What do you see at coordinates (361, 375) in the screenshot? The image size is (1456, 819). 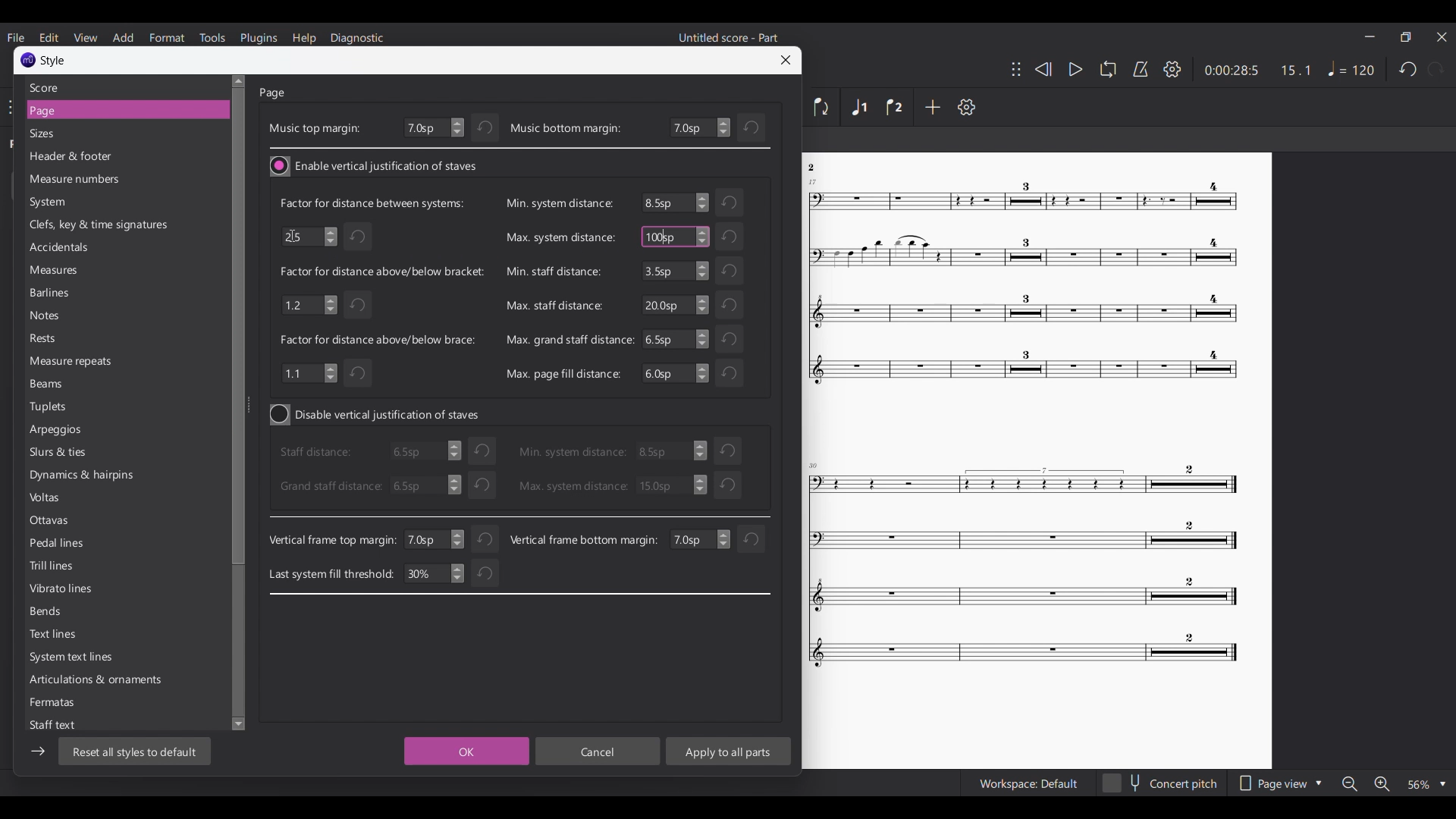 I see `Undo` at bounding box center [361, 375].